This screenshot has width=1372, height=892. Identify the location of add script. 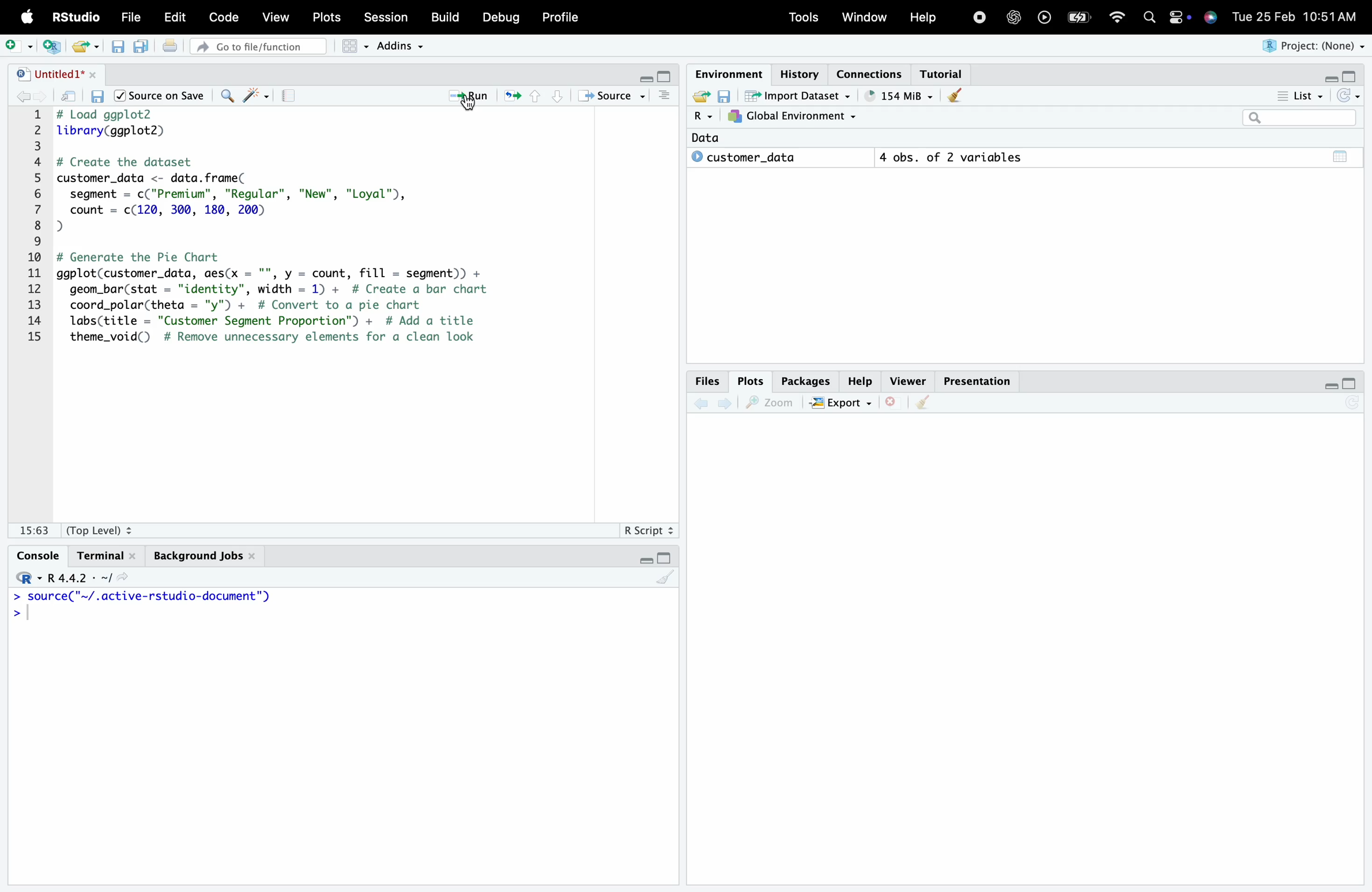
(18, 43).